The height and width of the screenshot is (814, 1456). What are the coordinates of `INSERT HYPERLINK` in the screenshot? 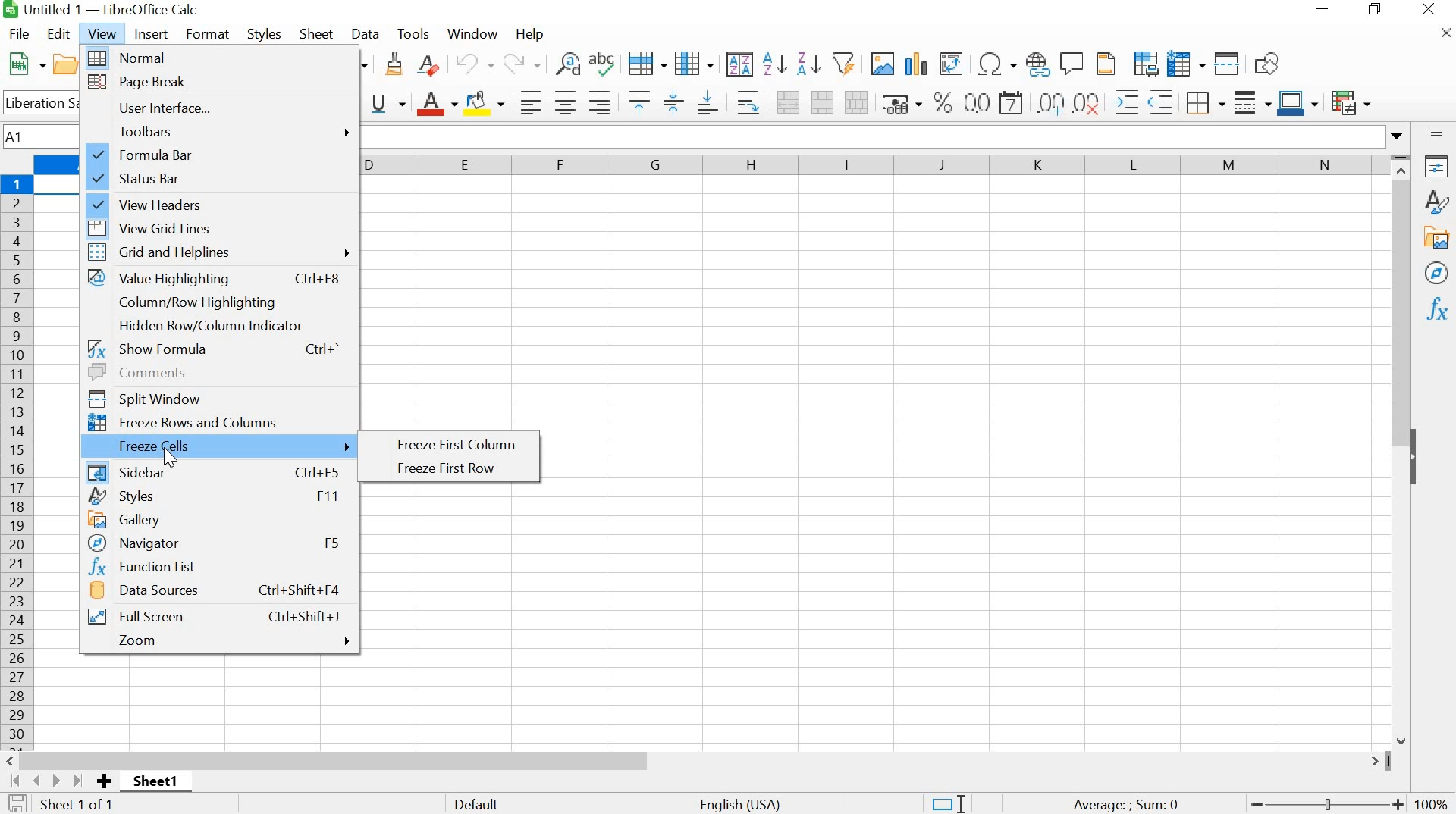 It's located at (1038, 64).